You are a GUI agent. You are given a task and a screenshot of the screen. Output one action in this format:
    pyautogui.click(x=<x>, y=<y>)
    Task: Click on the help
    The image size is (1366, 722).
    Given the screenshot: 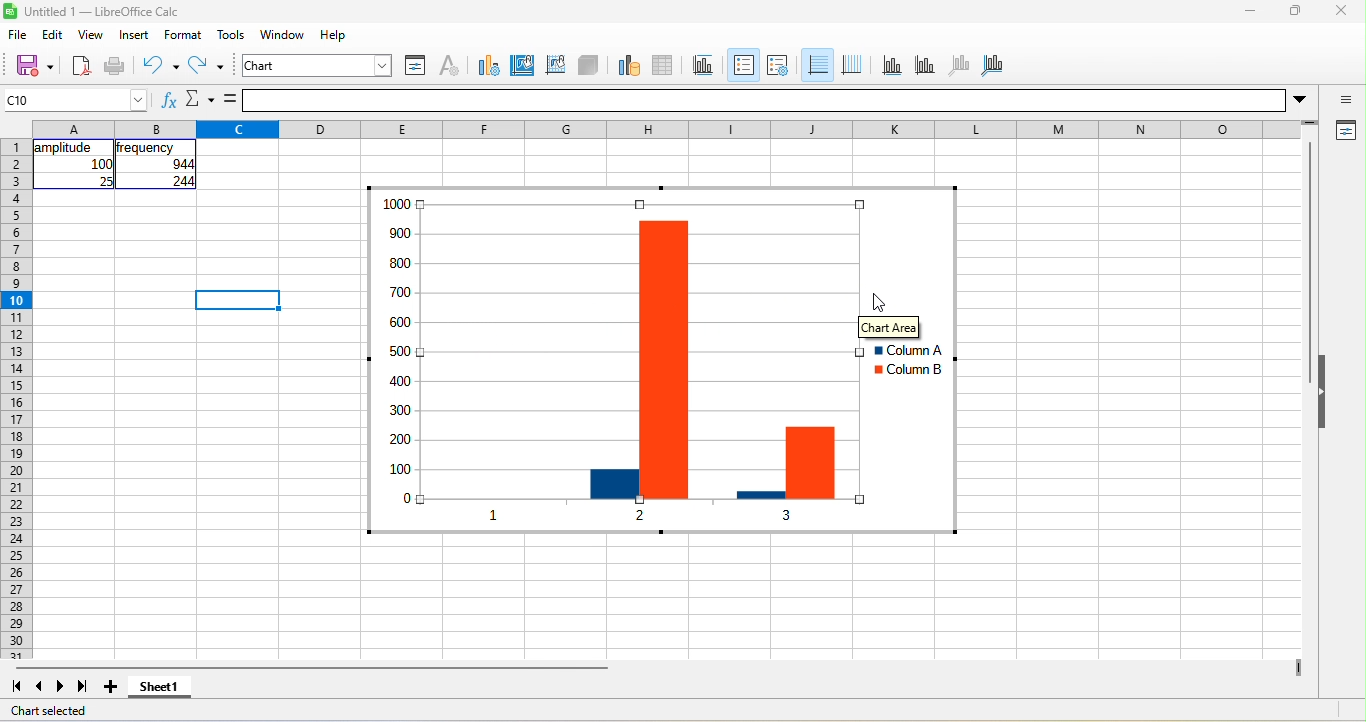 What is the action you would take?
    pyautogui.click(x=335, y=34)
    